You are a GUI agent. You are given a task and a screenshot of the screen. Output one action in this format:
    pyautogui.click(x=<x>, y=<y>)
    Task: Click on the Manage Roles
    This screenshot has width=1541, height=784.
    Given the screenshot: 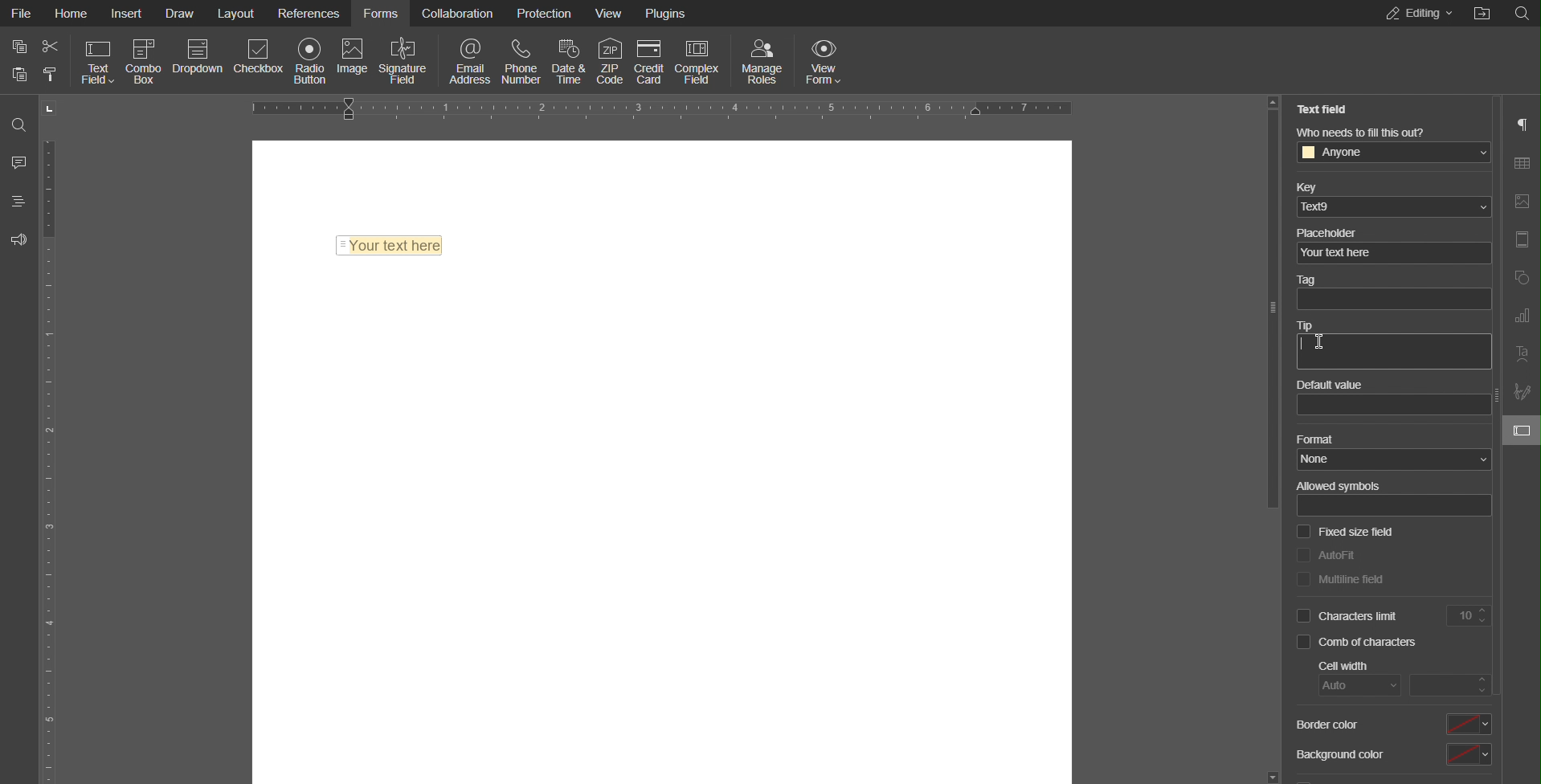 What is the action you would take?
    pyautogui.click(x=762, y=59)
    